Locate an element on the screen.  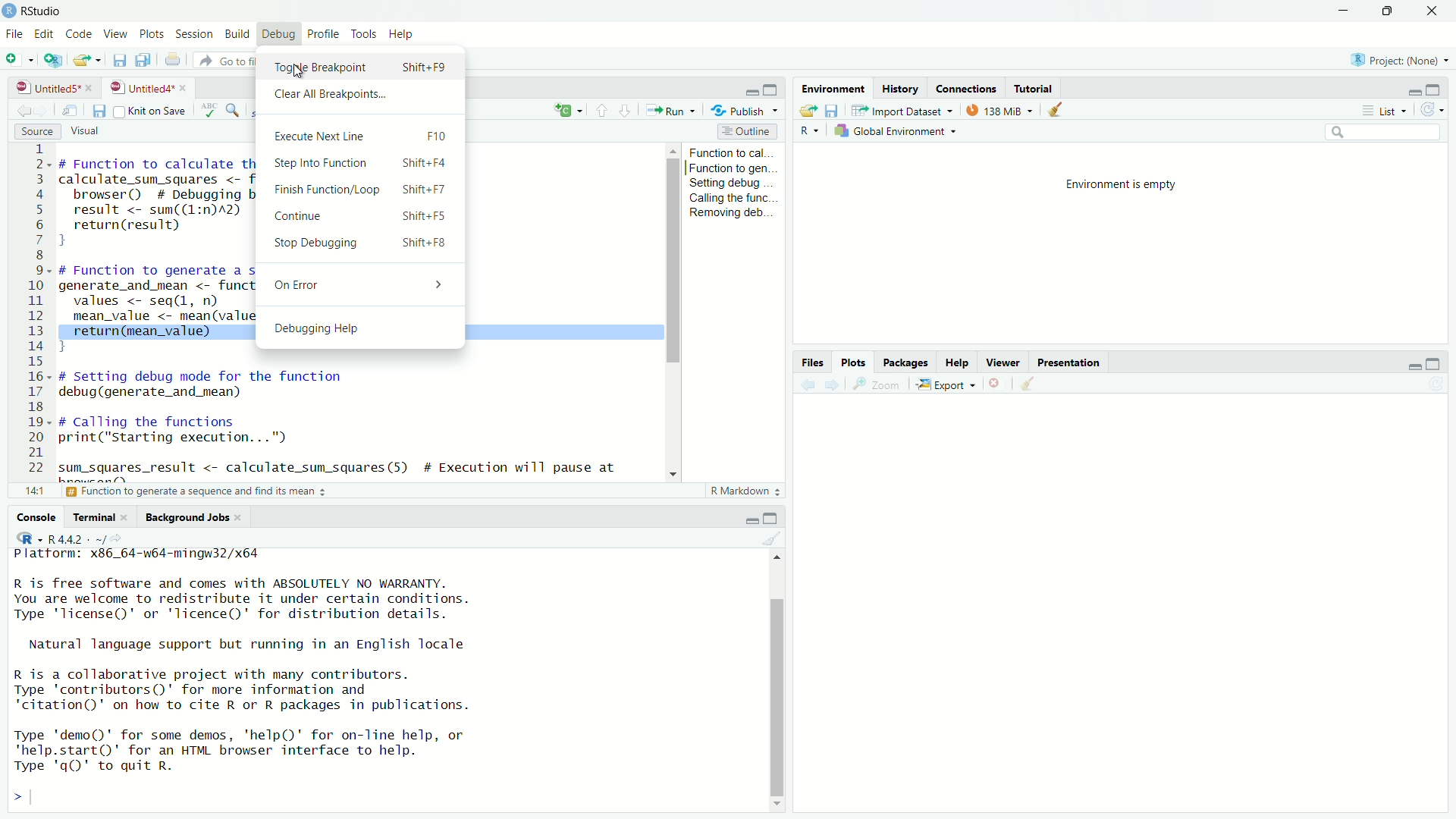
close is located at coordinates (1438, 12).